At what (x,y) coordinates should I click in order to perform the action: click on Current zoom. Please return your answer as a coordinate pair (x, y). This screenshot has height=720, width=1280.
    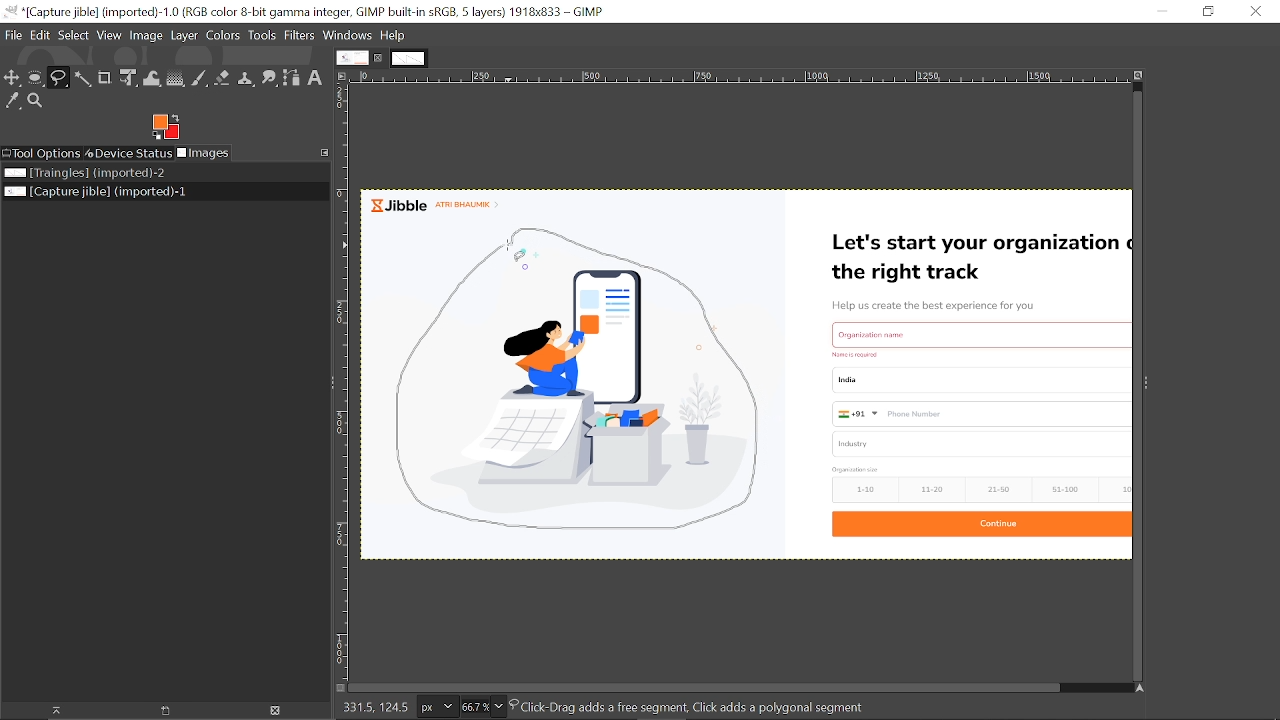
    Looking at the image, I should click on (473, 707).